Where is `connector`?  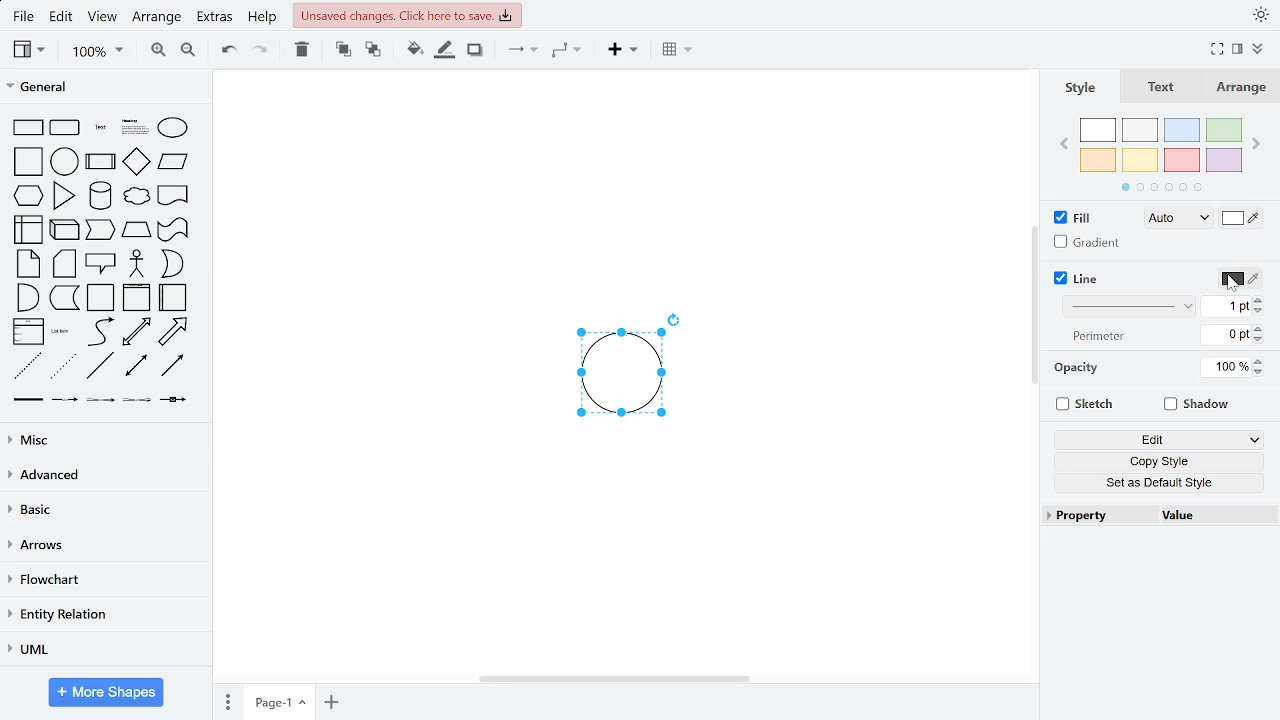
connector is located at coordinates (521, 50).